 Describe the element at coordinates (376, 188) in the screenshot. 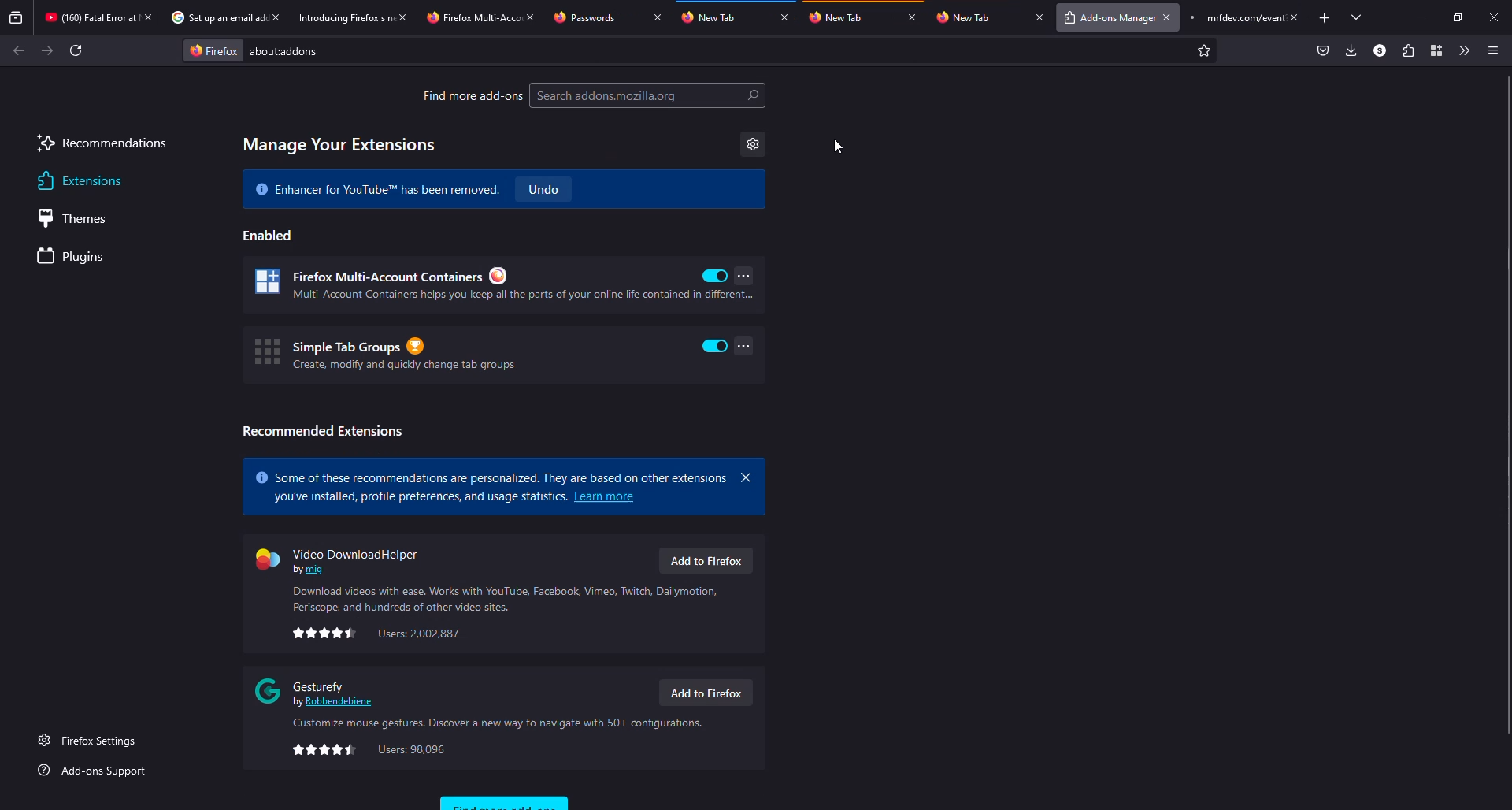

I see `enhancer removed` at that location.